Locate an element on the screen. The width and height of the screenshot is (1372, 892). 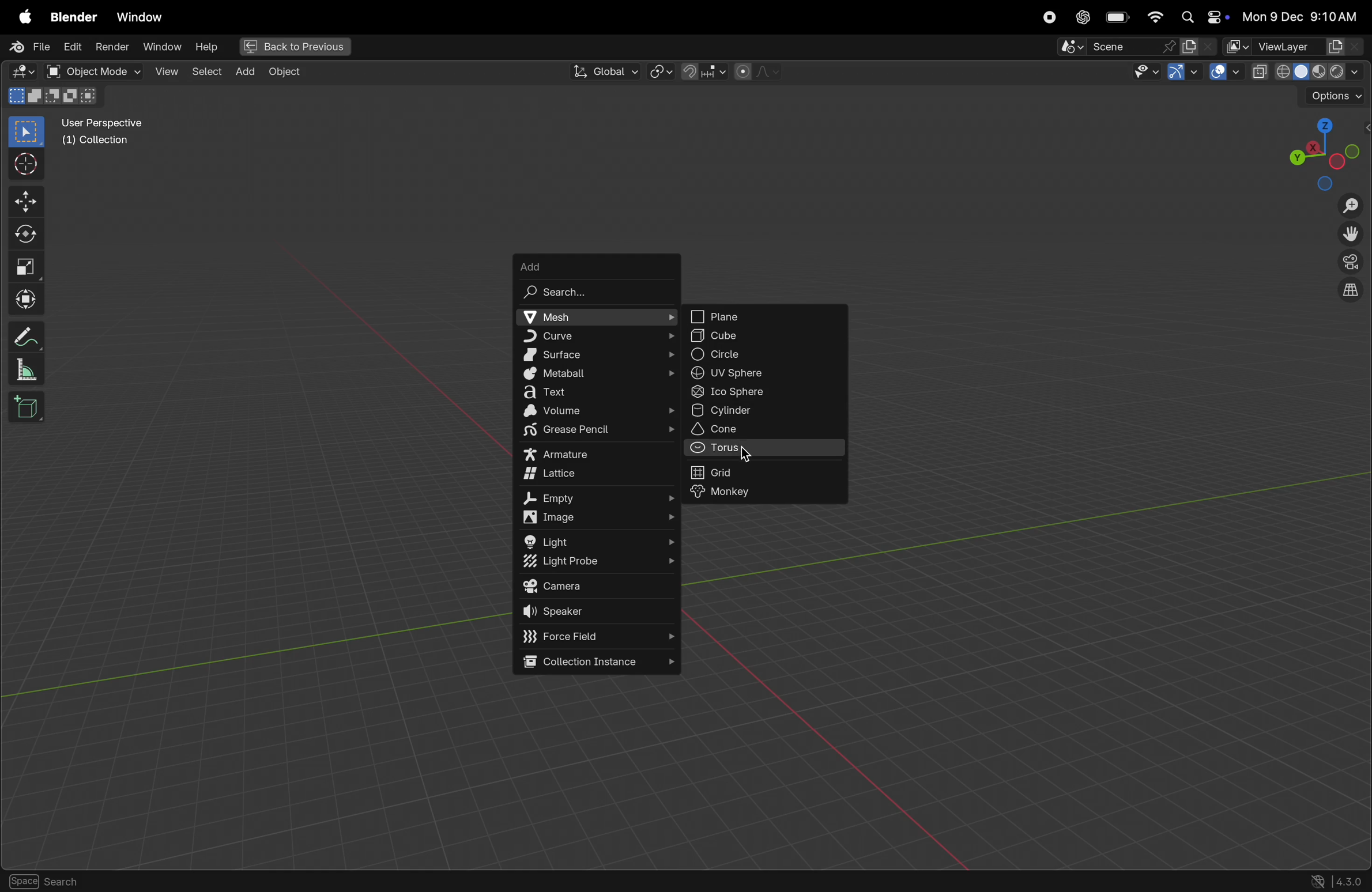
circlr is located at coordinates (764, 354).